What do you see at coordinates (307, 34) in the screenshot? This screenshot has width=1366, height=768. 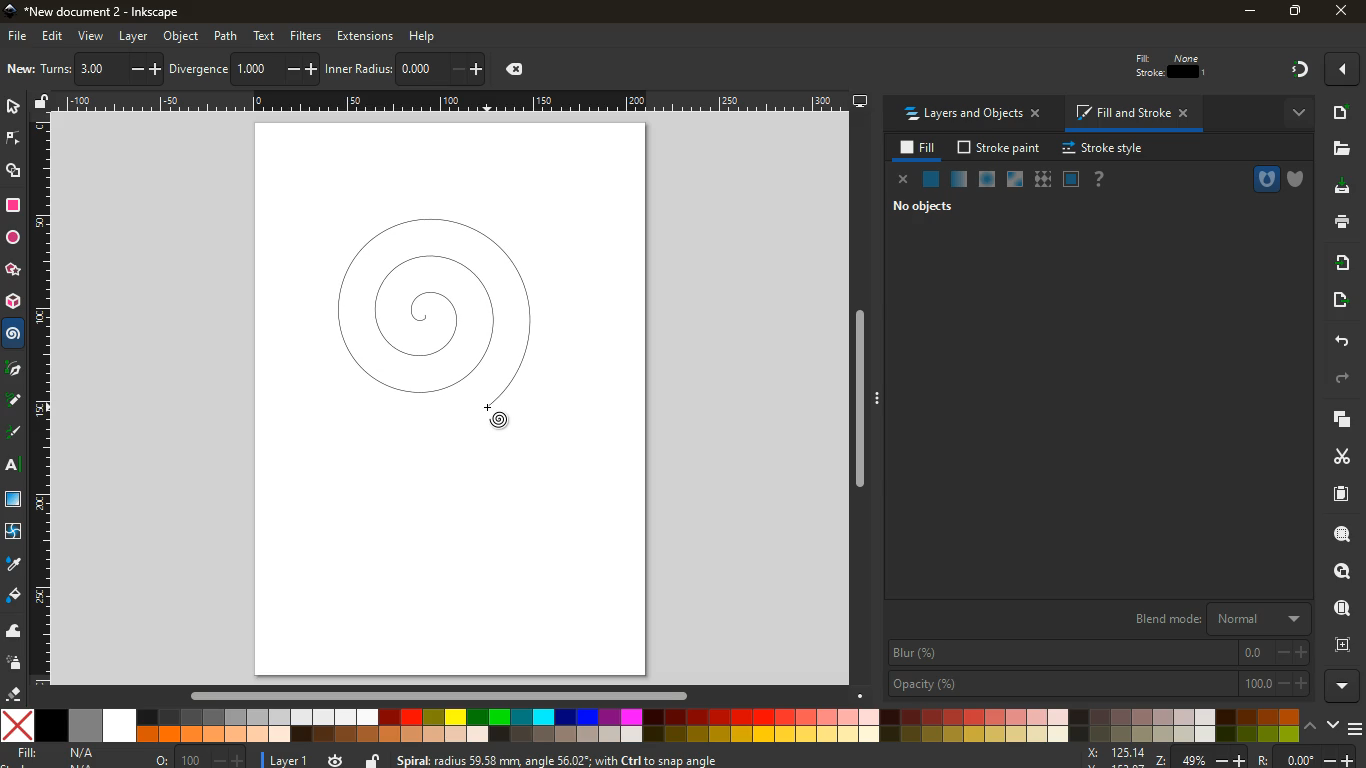 I see `filters` at bounding box center [307, 34].